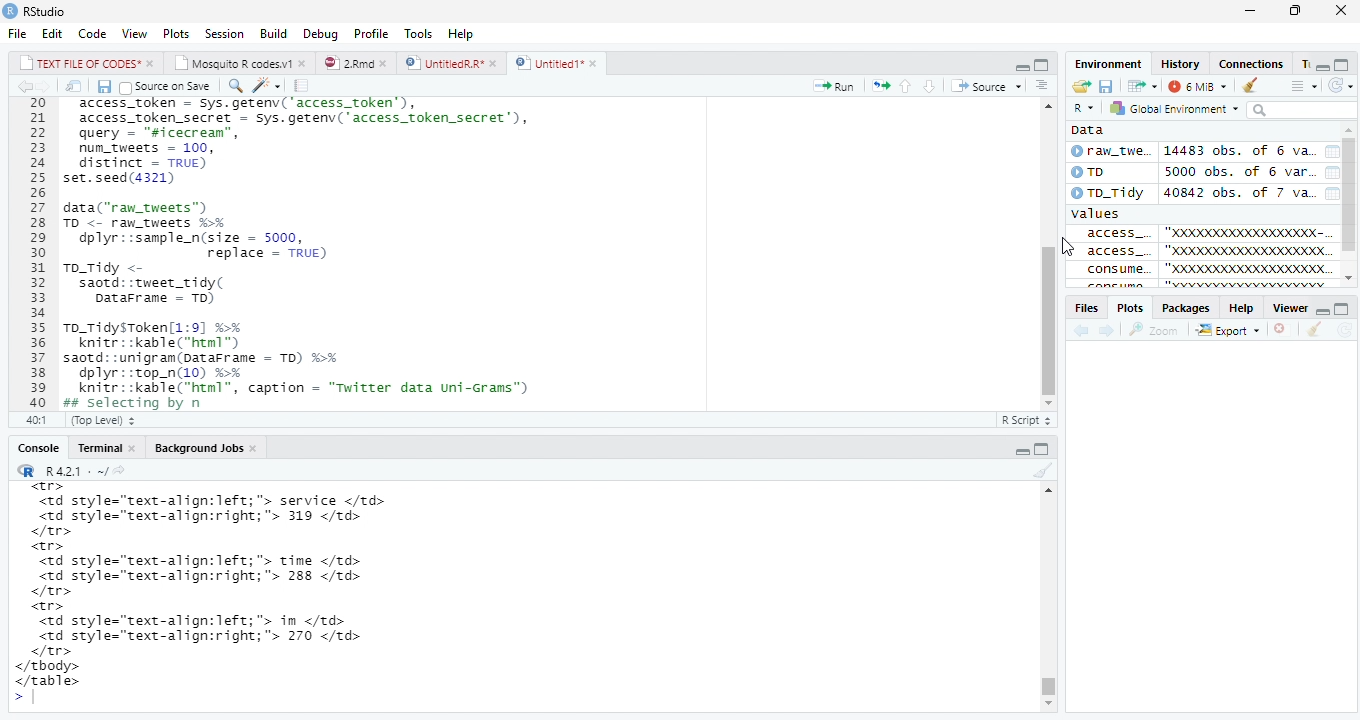 This screenshot has width=1360, height=720. I want to click on Session, so click(223, 33).